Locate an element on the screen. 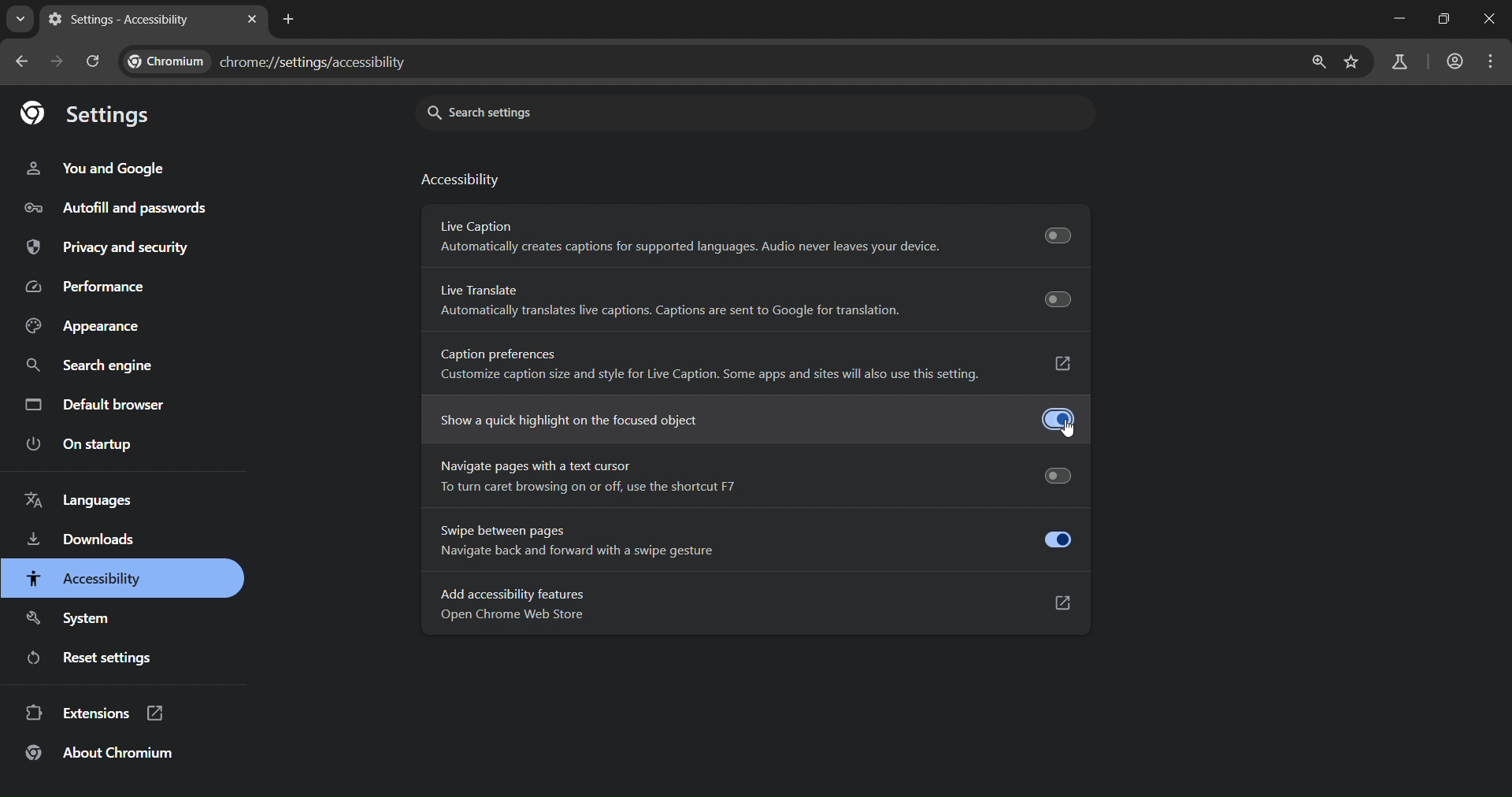 The width and height of the screenshot is (1512, 797). close is located at coordinates (1493, 18).